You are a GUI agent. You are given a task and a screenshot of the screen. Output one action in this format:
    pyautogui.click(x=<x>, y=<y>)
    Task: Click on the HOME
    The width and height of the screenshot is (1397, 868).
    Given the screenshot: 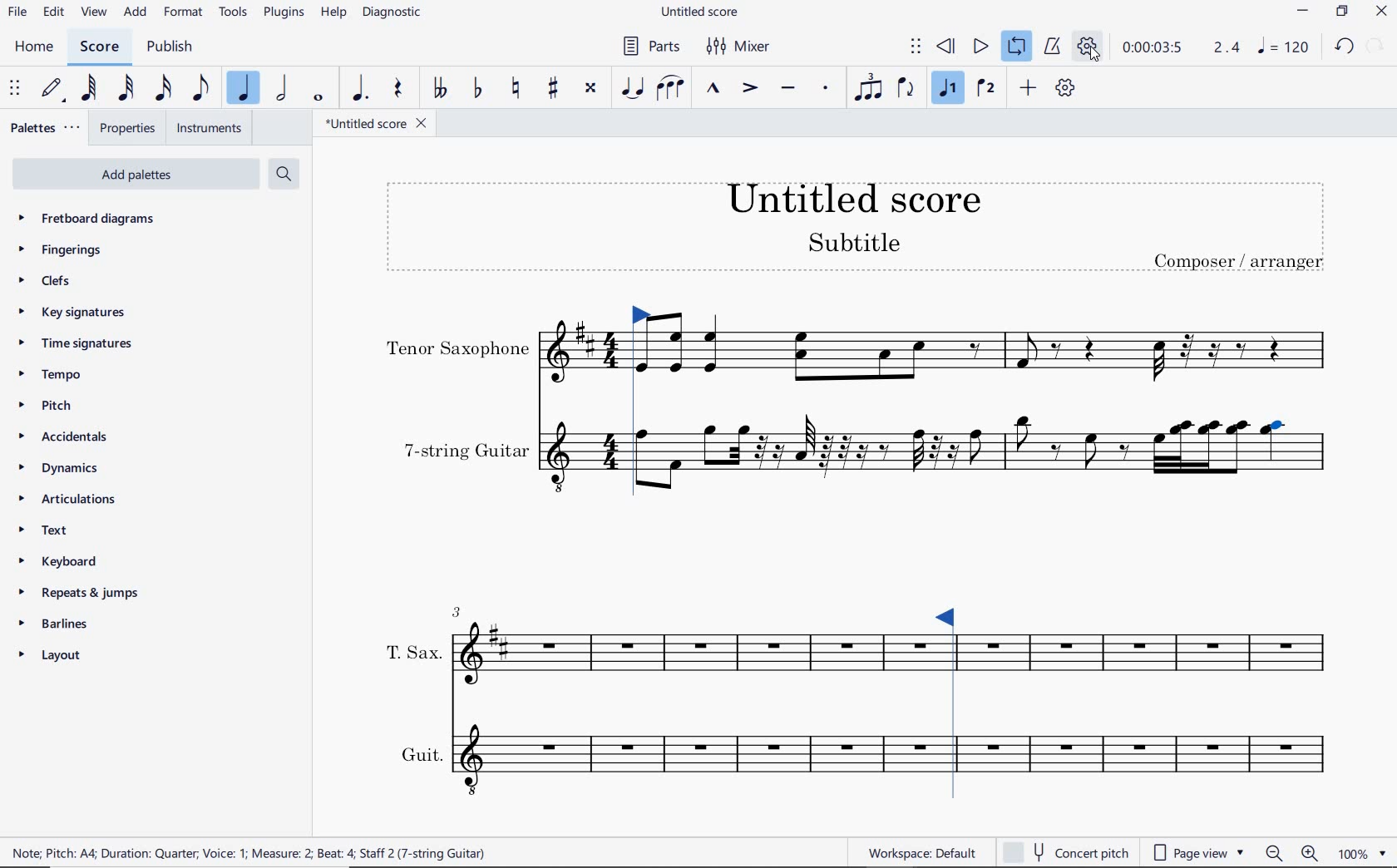 What is the action you would take?
    pyautogui.click(x=32, y=47)
    